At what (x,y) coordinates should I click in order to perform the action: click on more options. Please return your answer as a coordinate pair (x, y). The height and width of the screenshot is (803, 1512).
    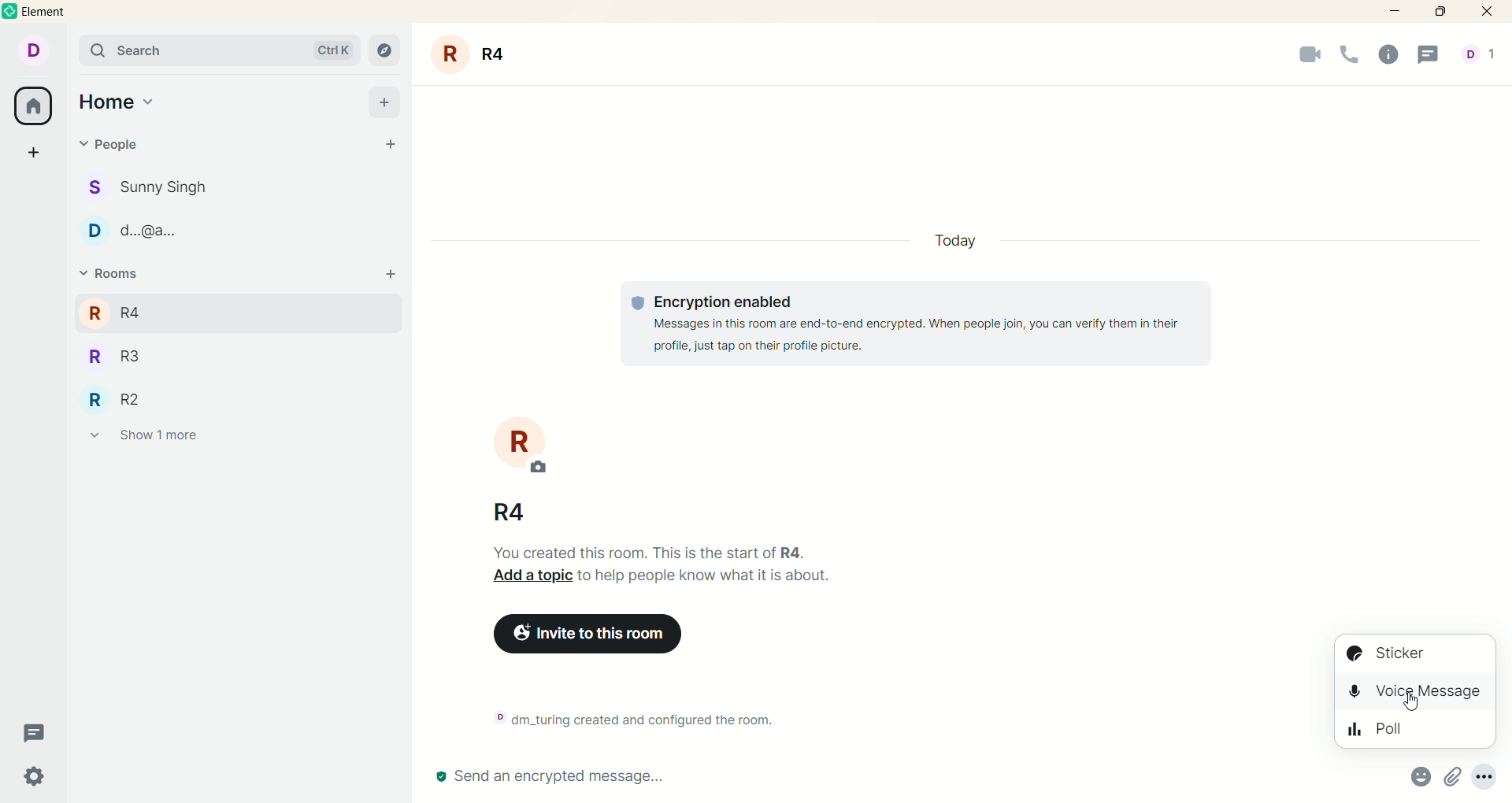
    Looking at the image, I should click on (1451, 779).